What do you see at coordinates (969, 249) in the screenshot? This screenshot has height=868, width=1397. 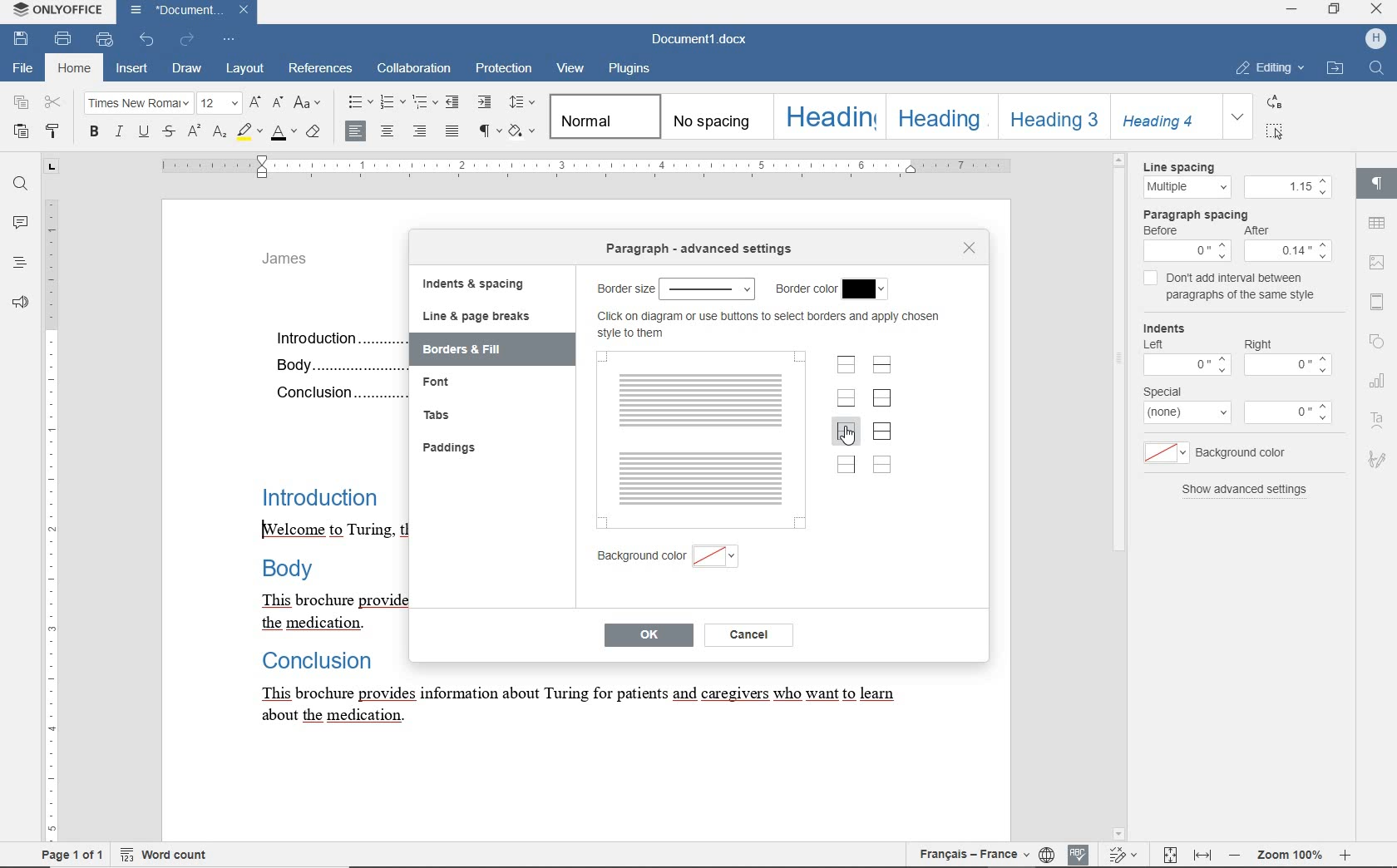 I see `close` at bounding box center [969, 249].